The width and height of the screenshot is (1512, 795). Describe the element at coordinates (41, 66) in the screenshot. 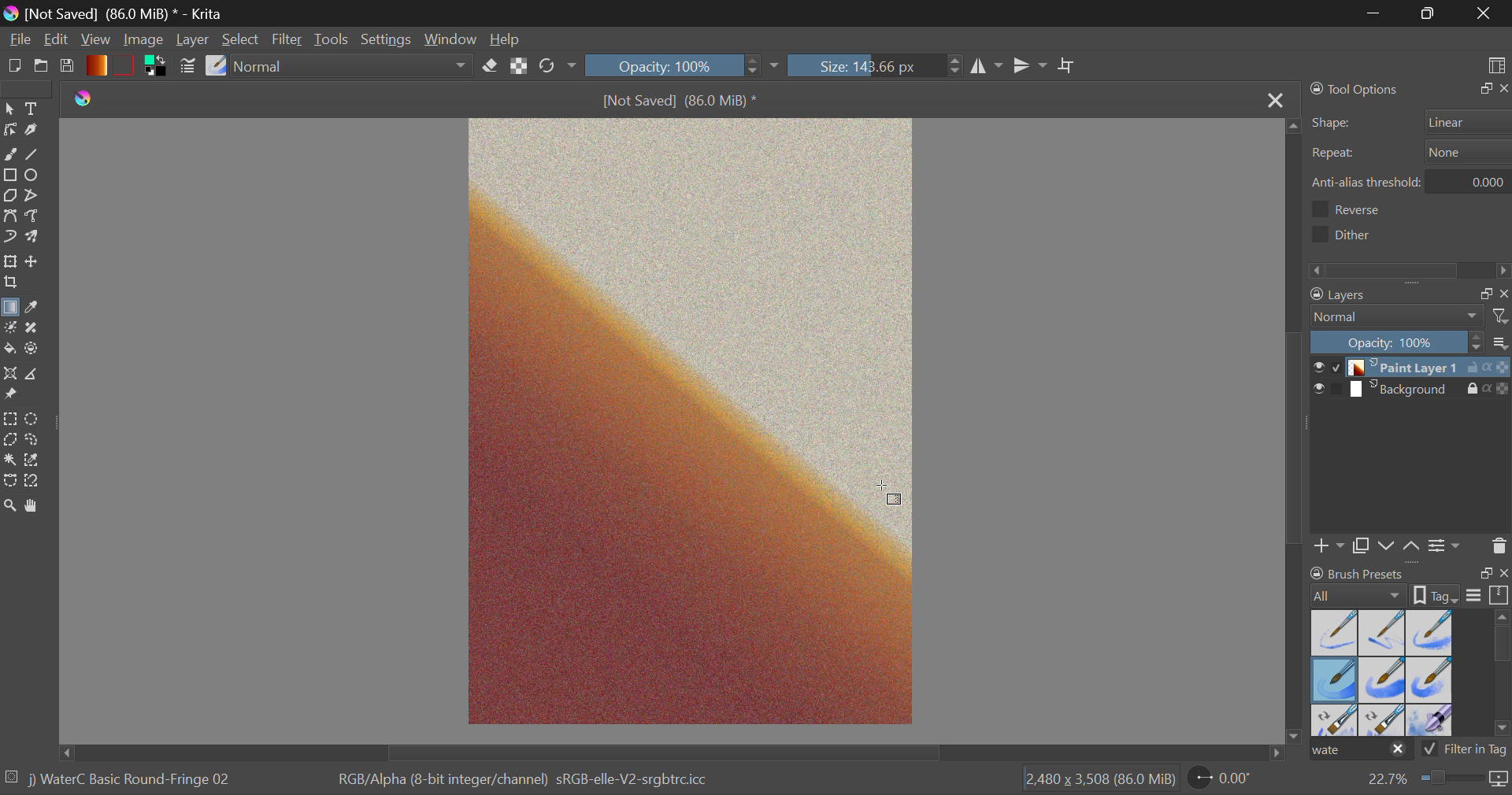

I see `Open` at that location.